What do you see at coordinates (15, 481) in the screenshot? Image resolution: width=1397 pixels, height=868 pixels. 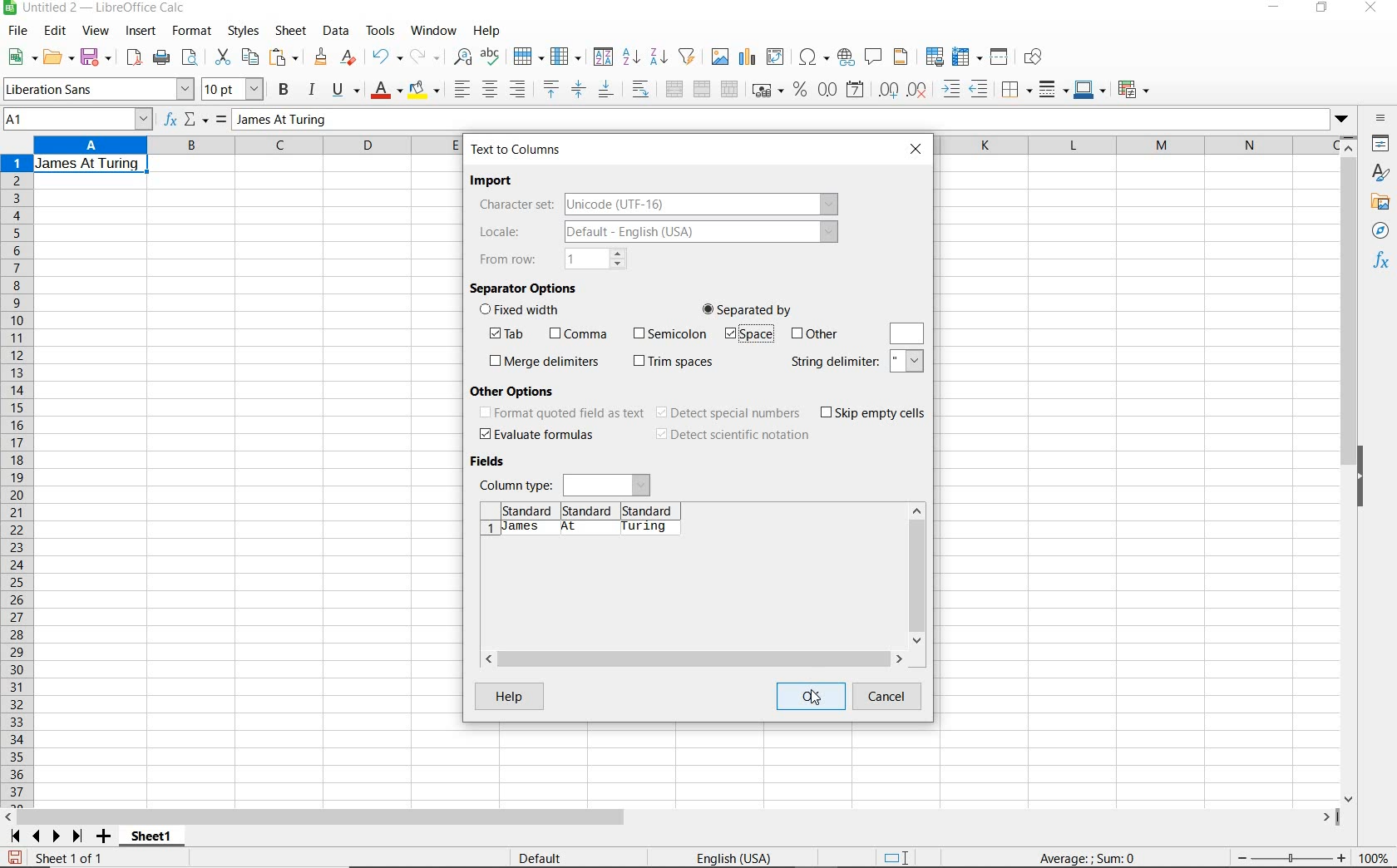 I see `rows` at bounding box center [15, 481].